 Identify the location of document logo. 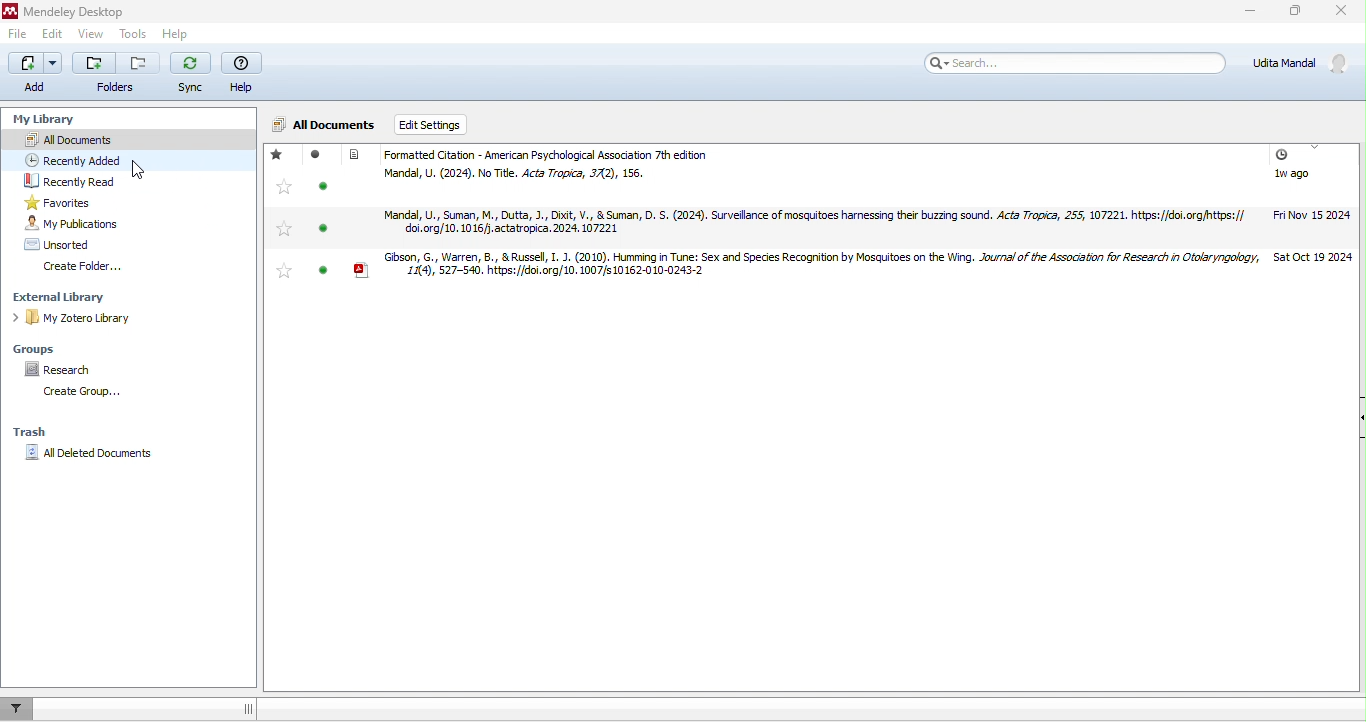
(355, 154).